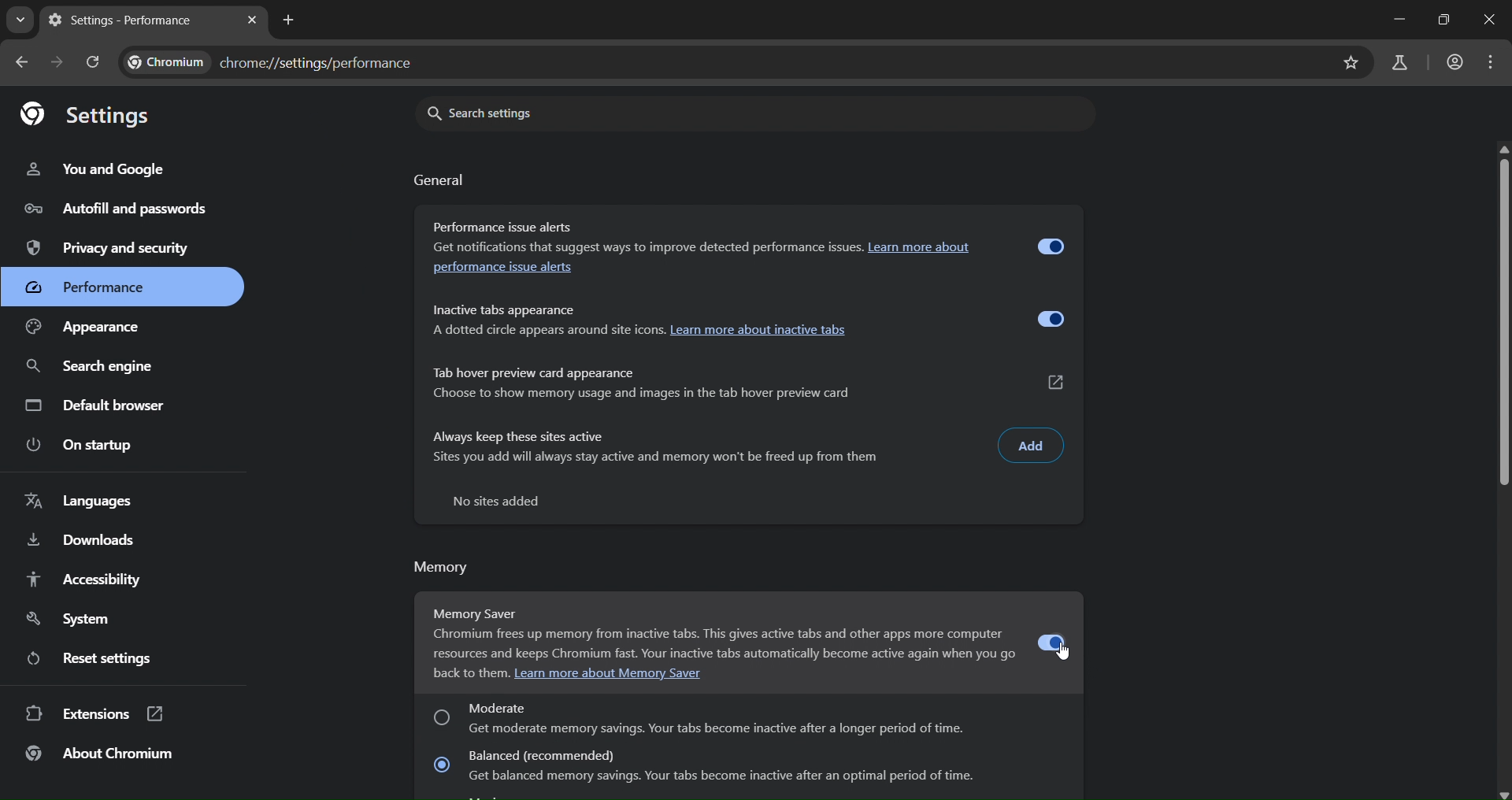  I want to click on Enable/Disable, so click(1049, 243).